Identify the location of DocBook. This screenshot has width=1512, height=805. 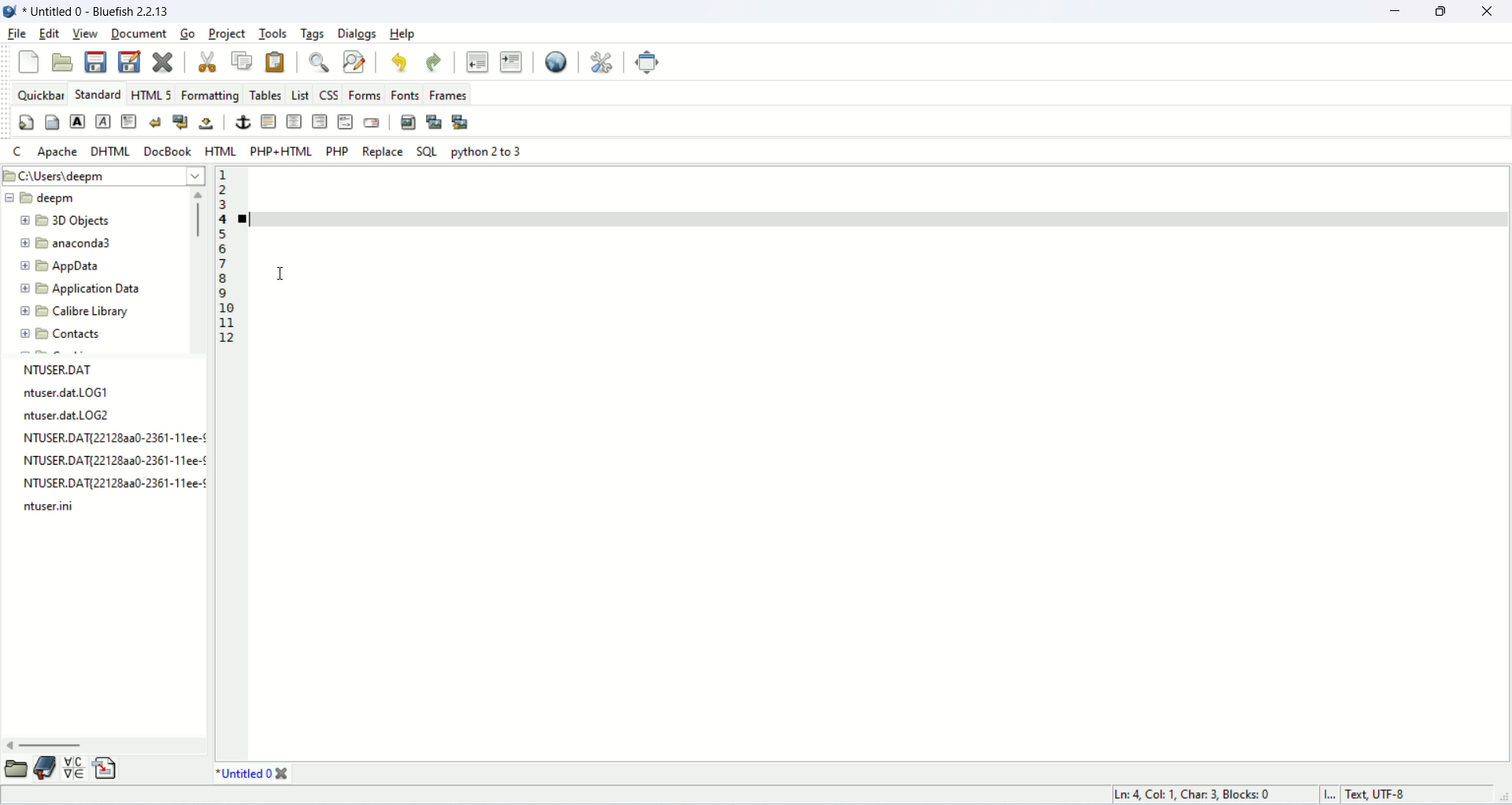
(167, 151).